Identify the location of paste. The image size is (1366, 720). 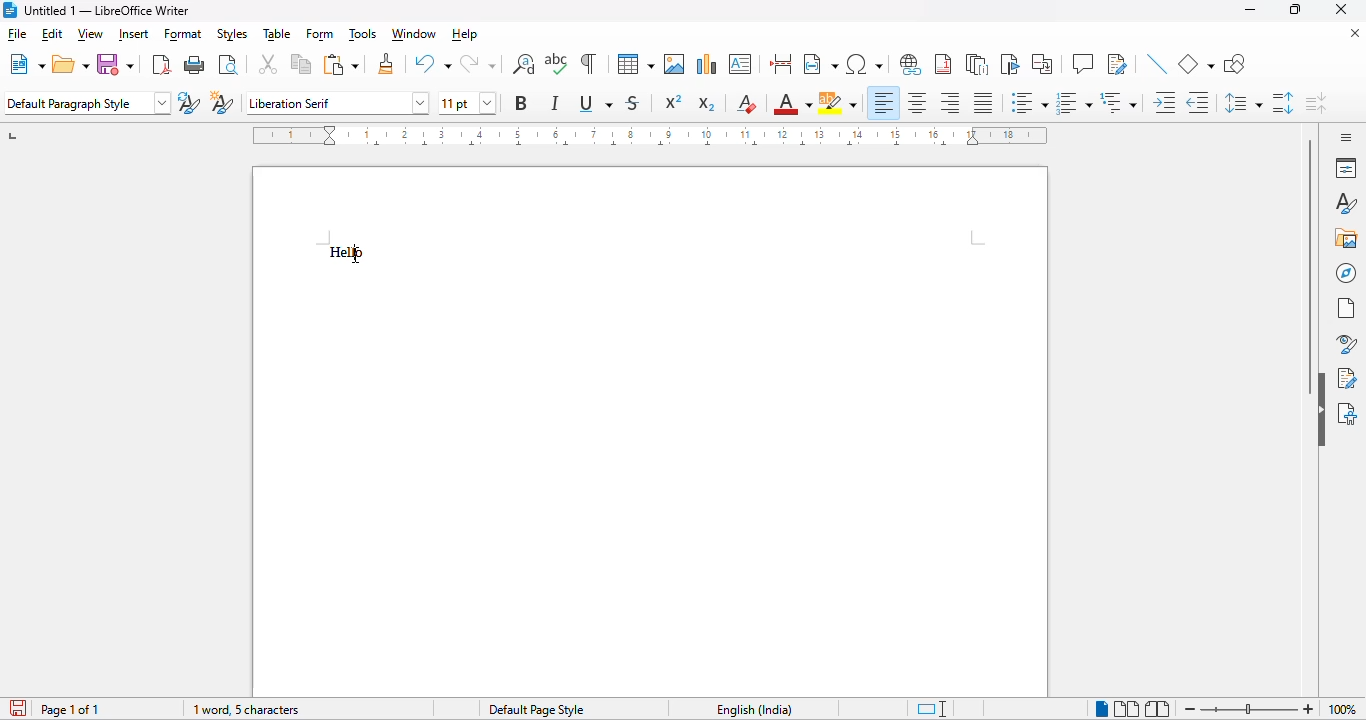
(342, 64).